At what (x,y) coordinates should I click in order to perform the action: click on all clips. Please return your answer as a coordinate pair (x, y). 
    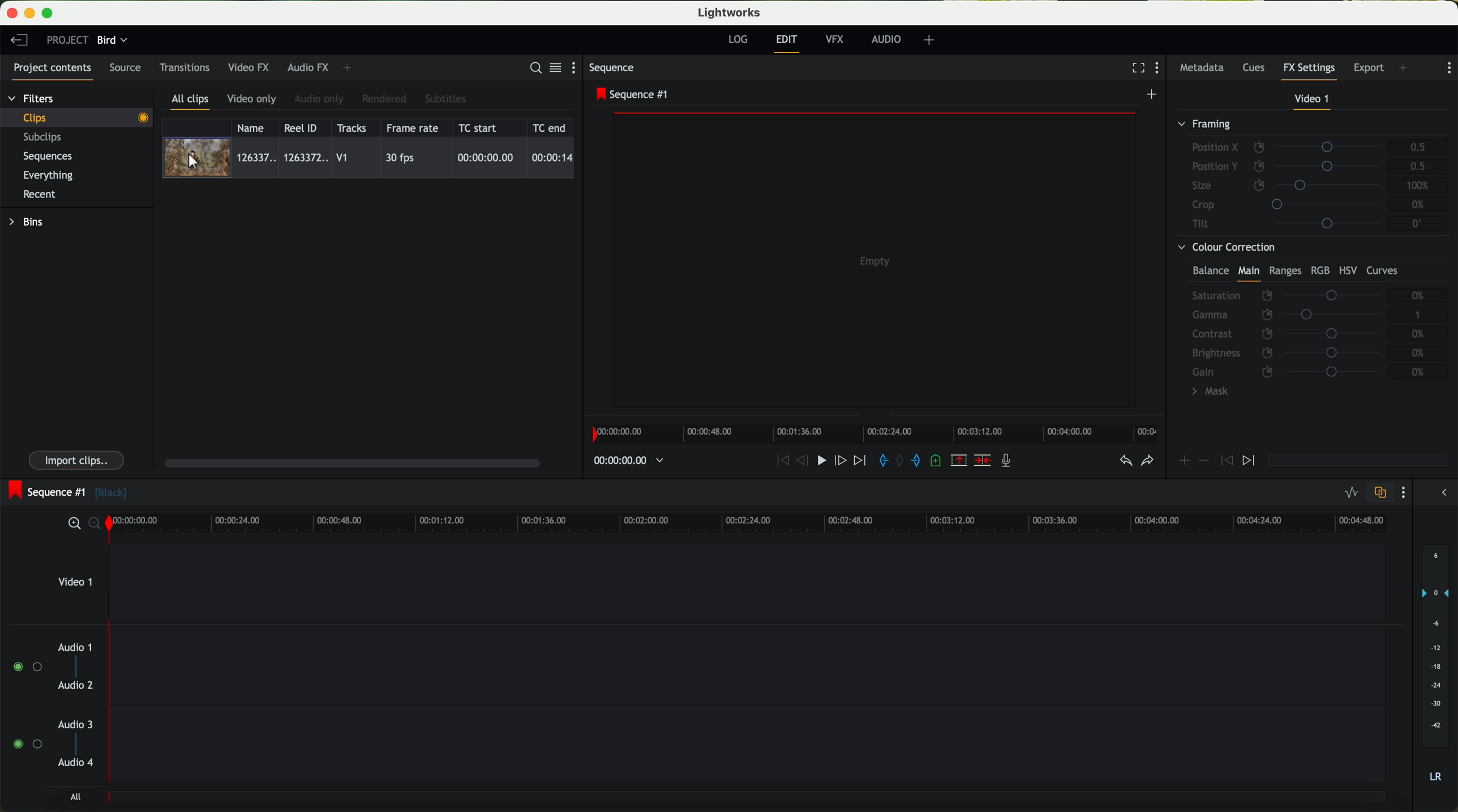
    Looking at the image, I should click on (191, 102).